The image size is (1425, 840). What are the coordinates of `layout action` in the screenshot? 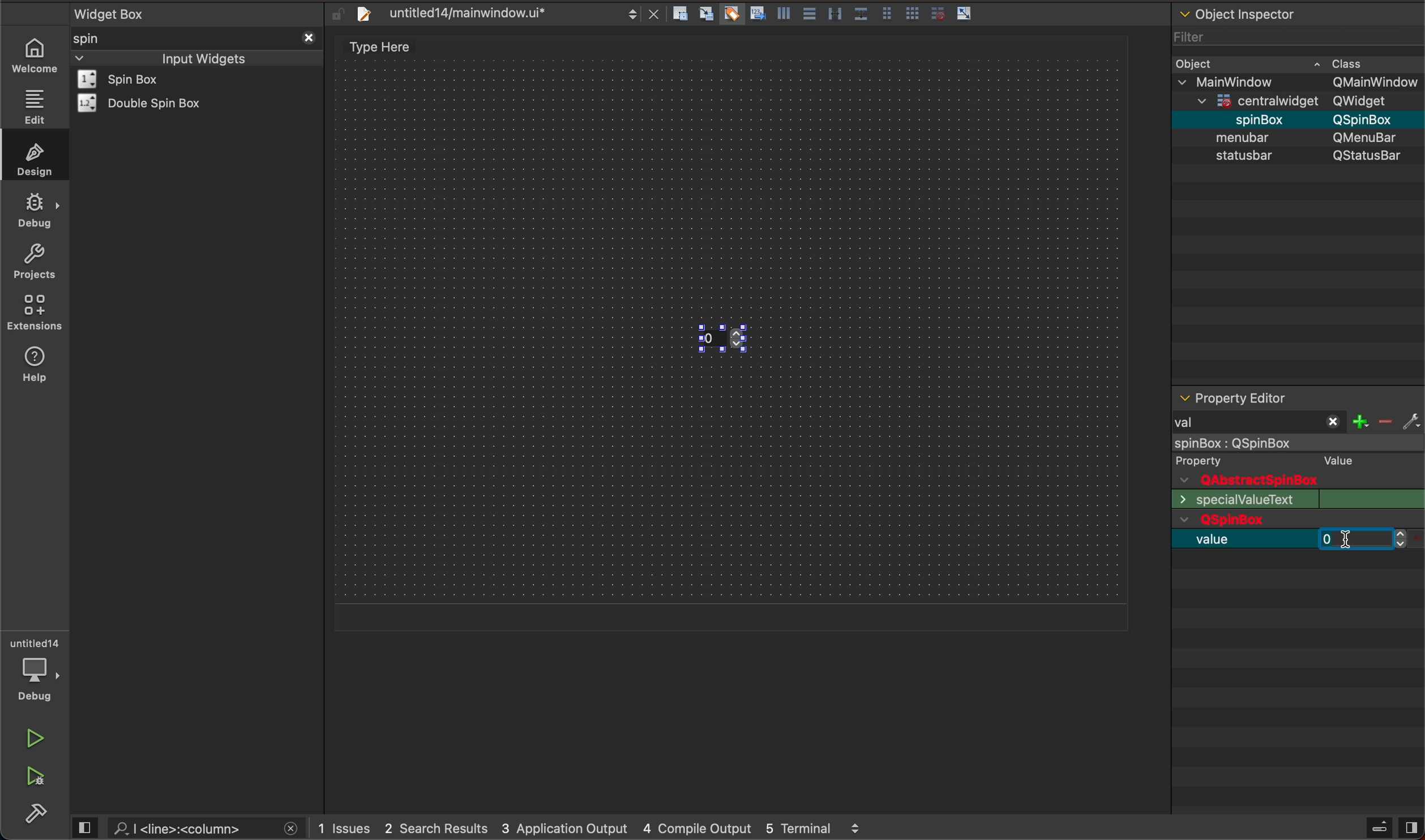 It's located at (827, 11).